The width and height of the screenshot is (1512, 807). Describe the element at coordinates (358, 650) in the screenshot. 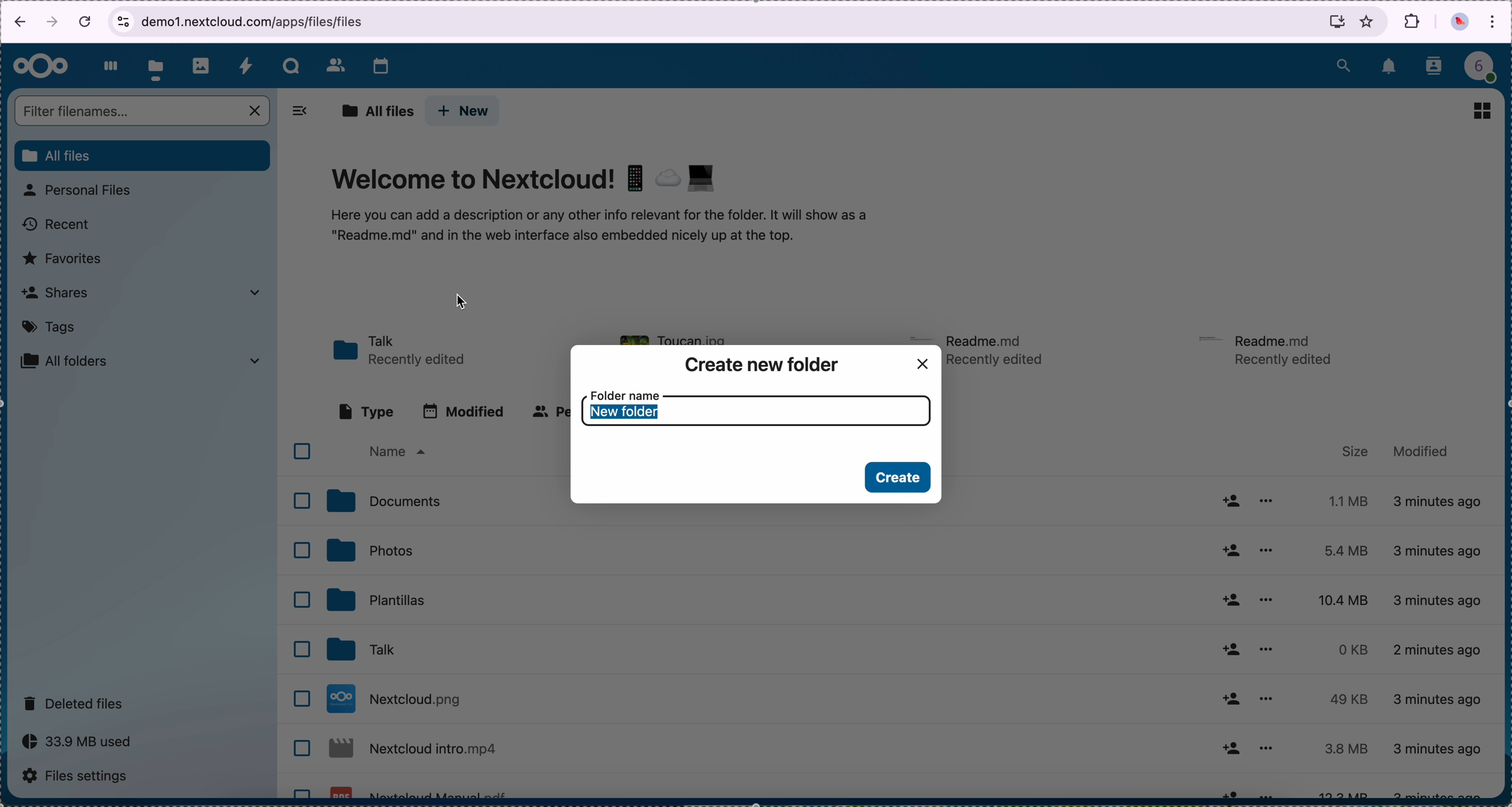

I see `talk` at that location.